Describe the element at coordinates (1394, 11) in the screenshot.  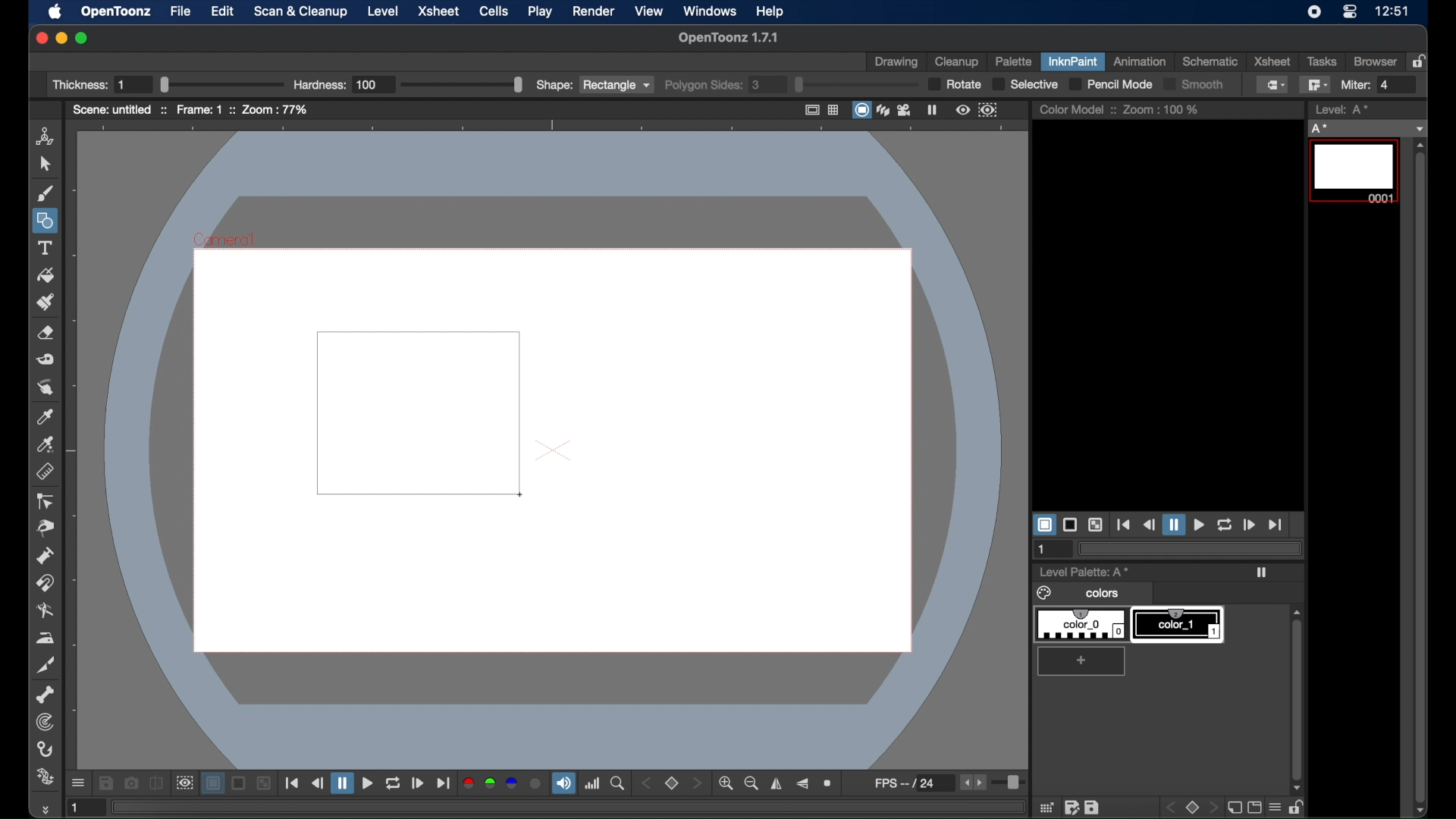
I see `12:51` at that location.